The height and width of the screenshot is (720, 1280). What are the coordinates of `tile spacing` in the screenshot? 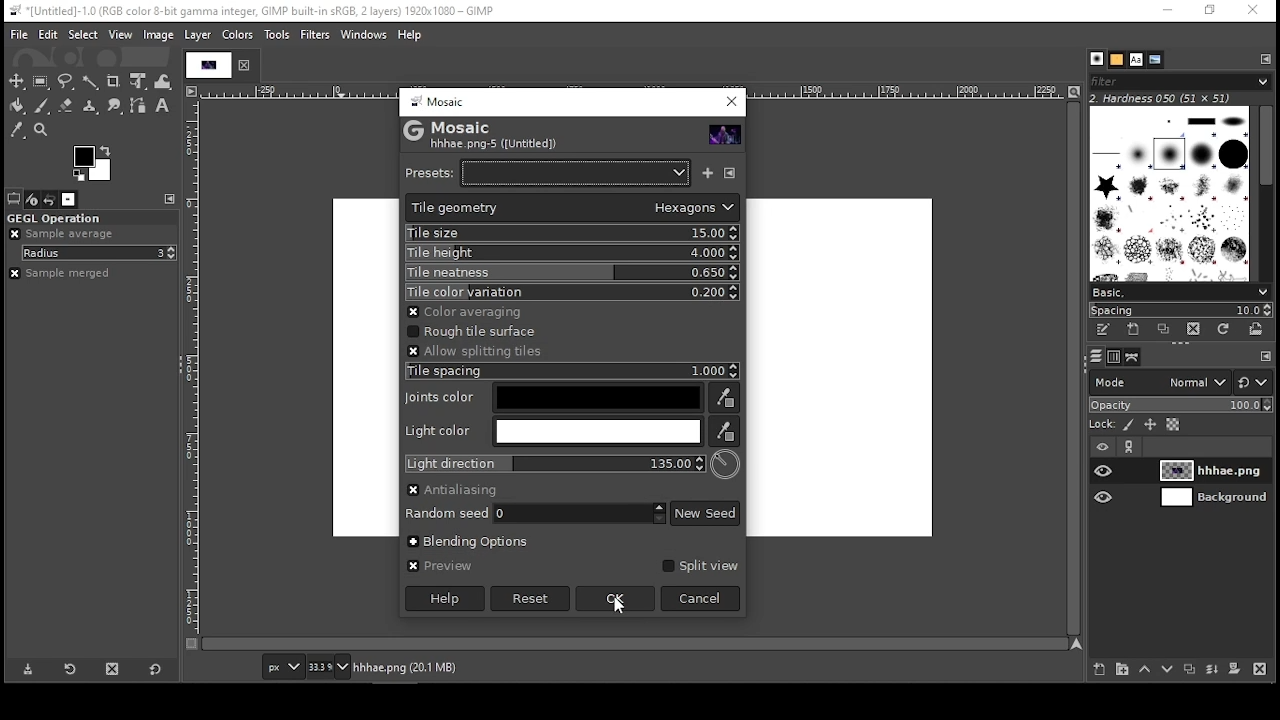 It's located at (574, 370).